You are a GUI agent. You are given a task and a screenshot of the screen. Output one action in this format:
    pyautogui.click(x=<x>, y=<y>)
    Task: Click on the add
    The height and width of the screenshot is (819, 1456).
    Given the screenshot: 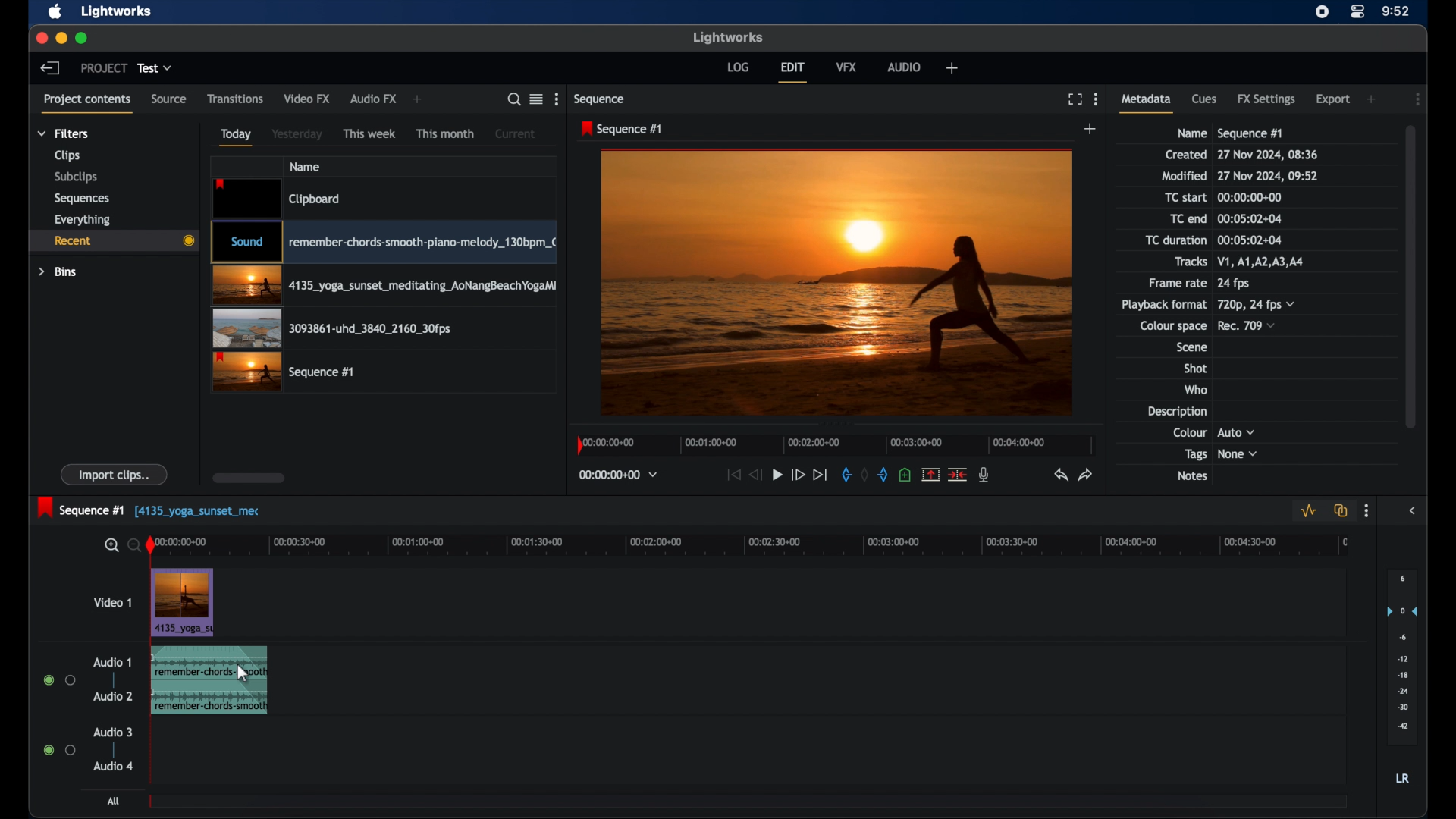 What is the action you would take?
    pyautogui.click(x=1091, y=128)
    